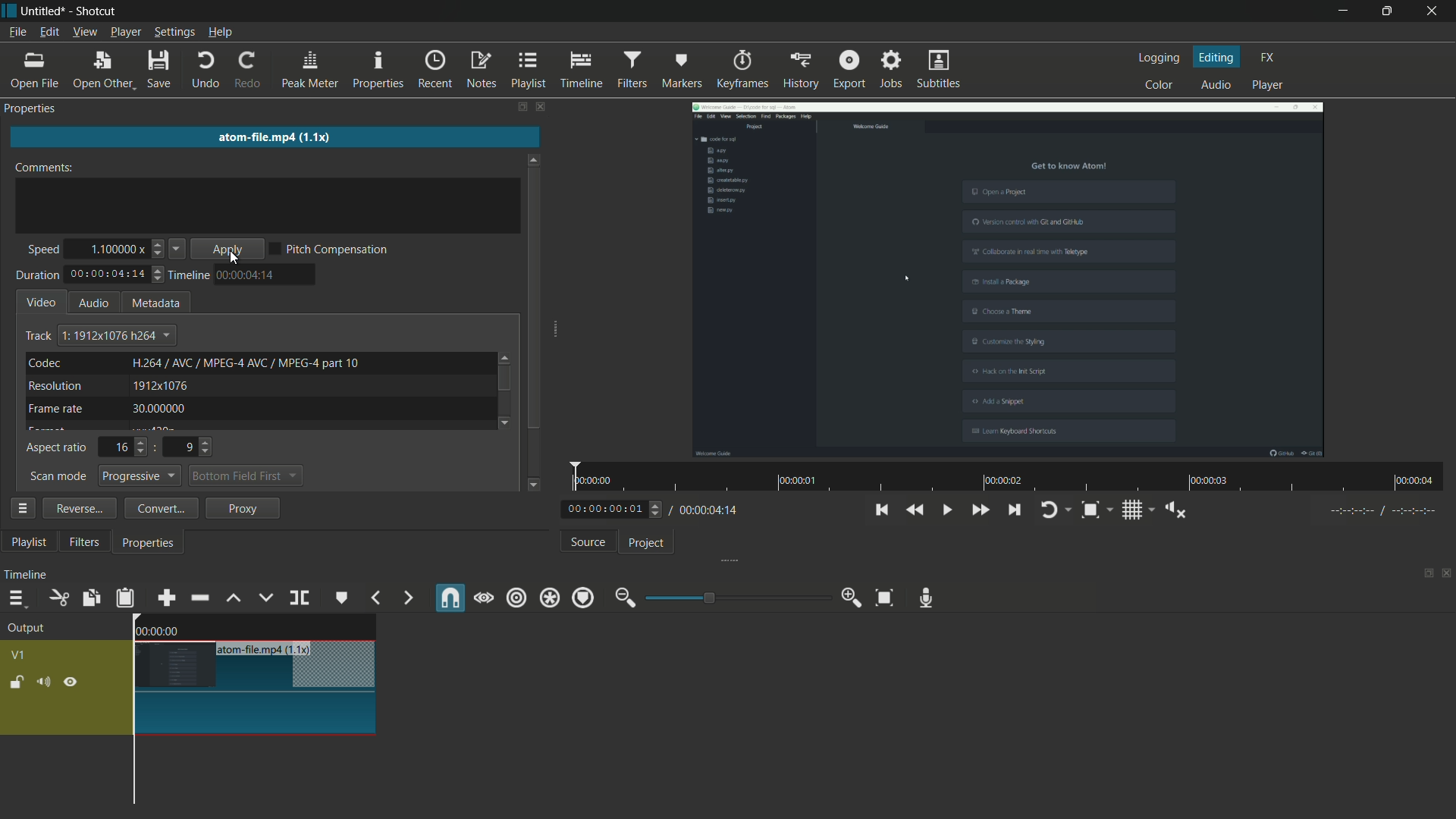  What do you see at coordinates (506, 355) in the screenshot?
I see `go up` at bounding box center [506, 355].